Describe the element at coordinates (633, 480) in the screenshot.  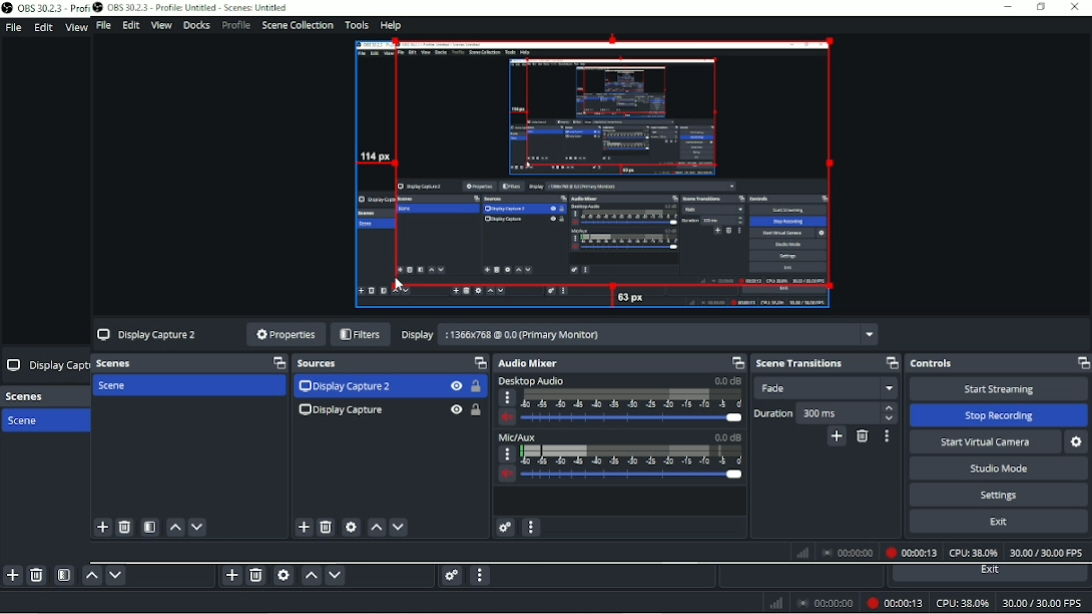
I see `slider` at that location.